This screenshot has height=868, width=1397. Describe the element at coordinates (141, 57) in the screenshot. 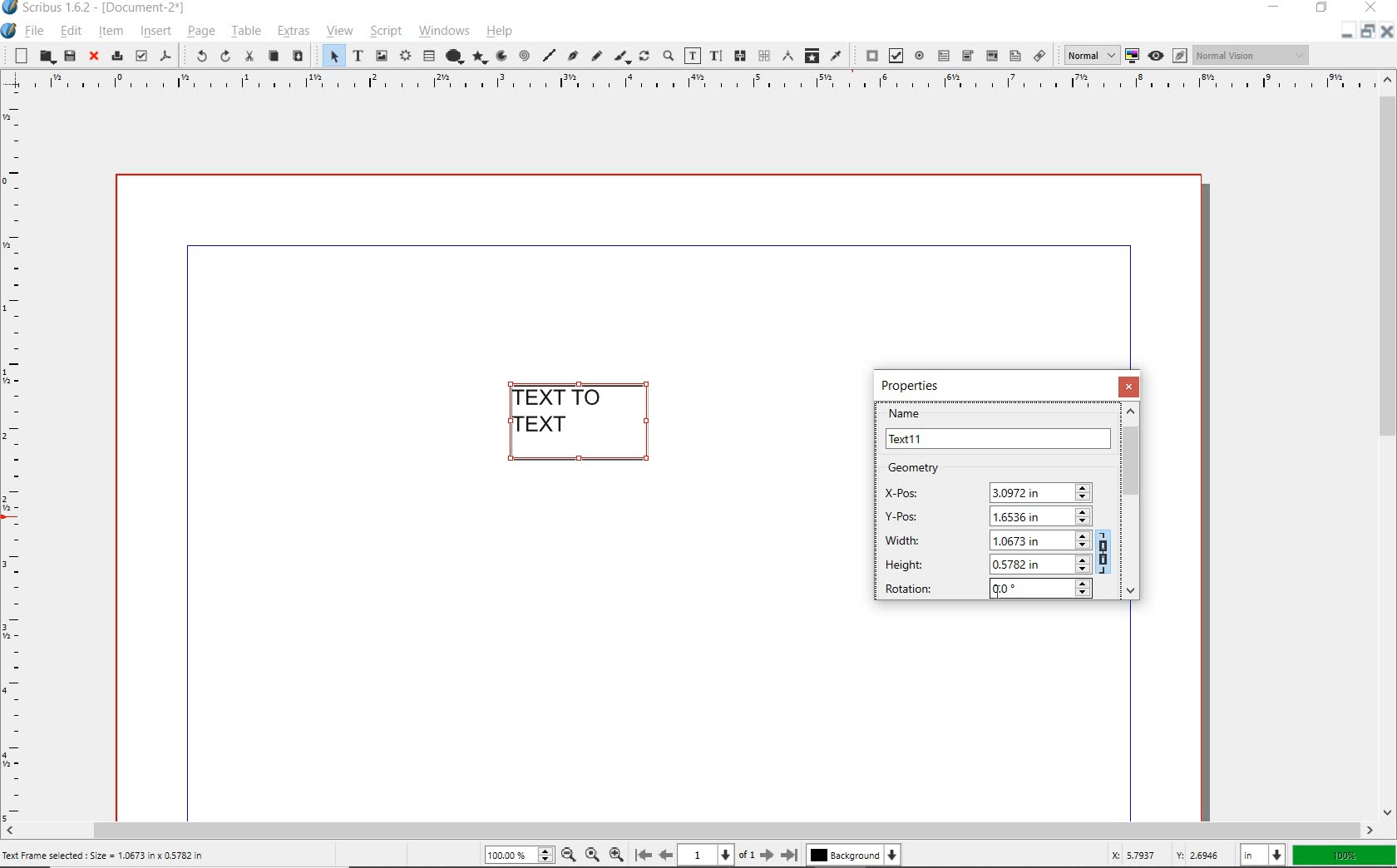

I see `preflight verifier` at that location.